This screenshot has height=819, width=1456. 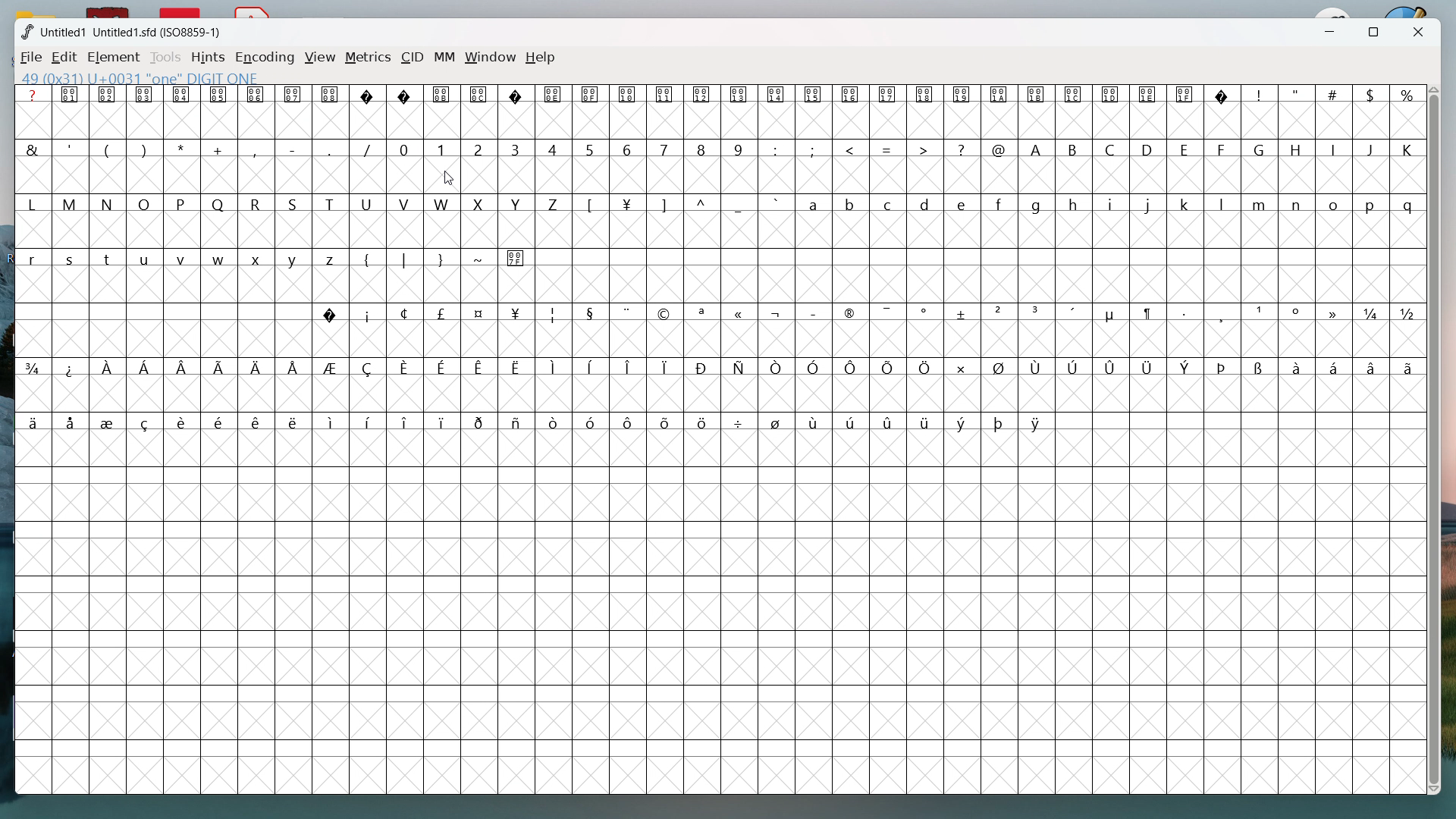 What do you see at coordinates (704, 203) in the screenshot?
I see `^` at bounding box center [704, 203].